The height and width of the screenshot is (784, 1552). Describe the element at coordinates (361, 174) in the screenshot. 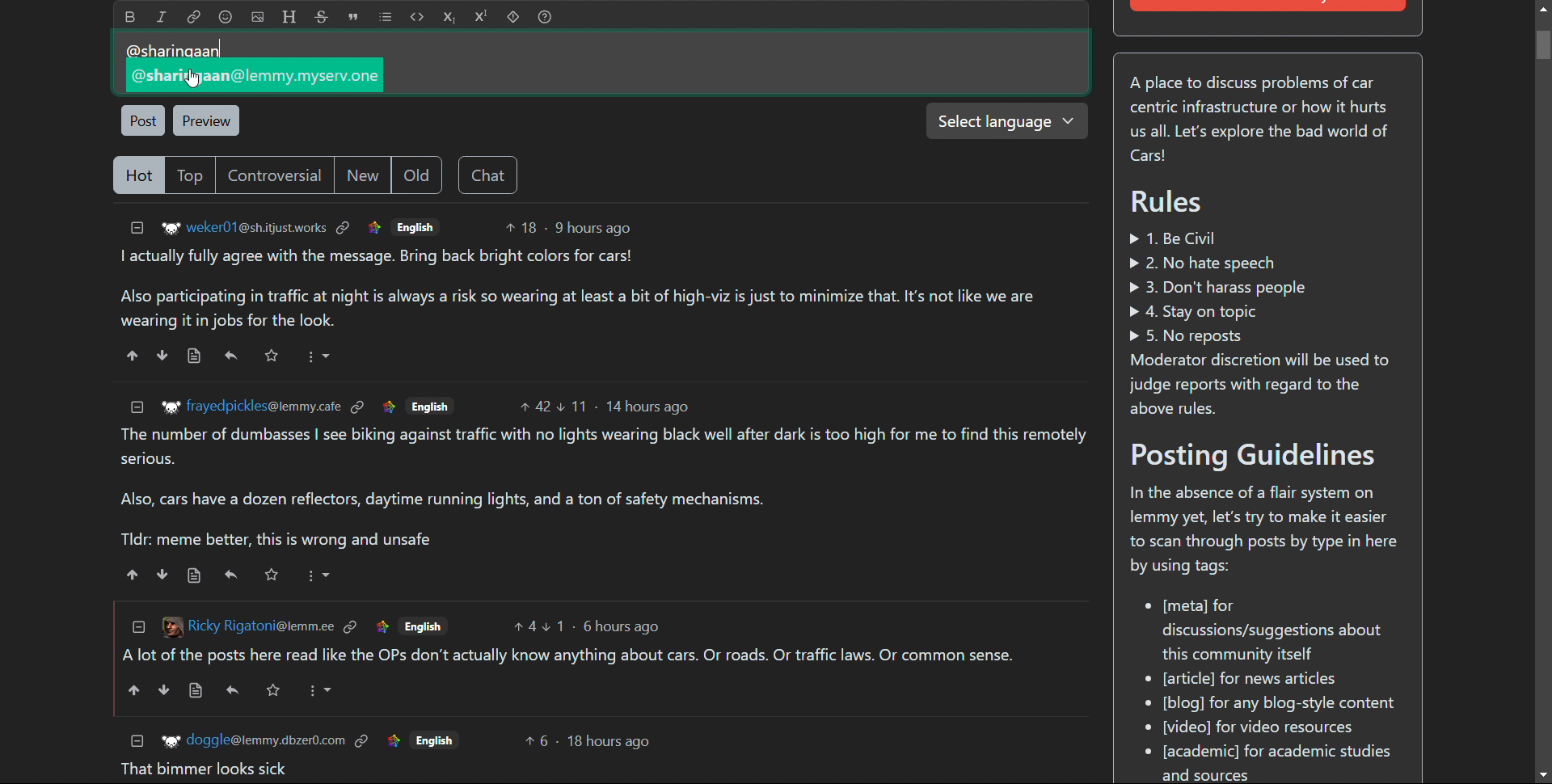

I see `new` at that location.